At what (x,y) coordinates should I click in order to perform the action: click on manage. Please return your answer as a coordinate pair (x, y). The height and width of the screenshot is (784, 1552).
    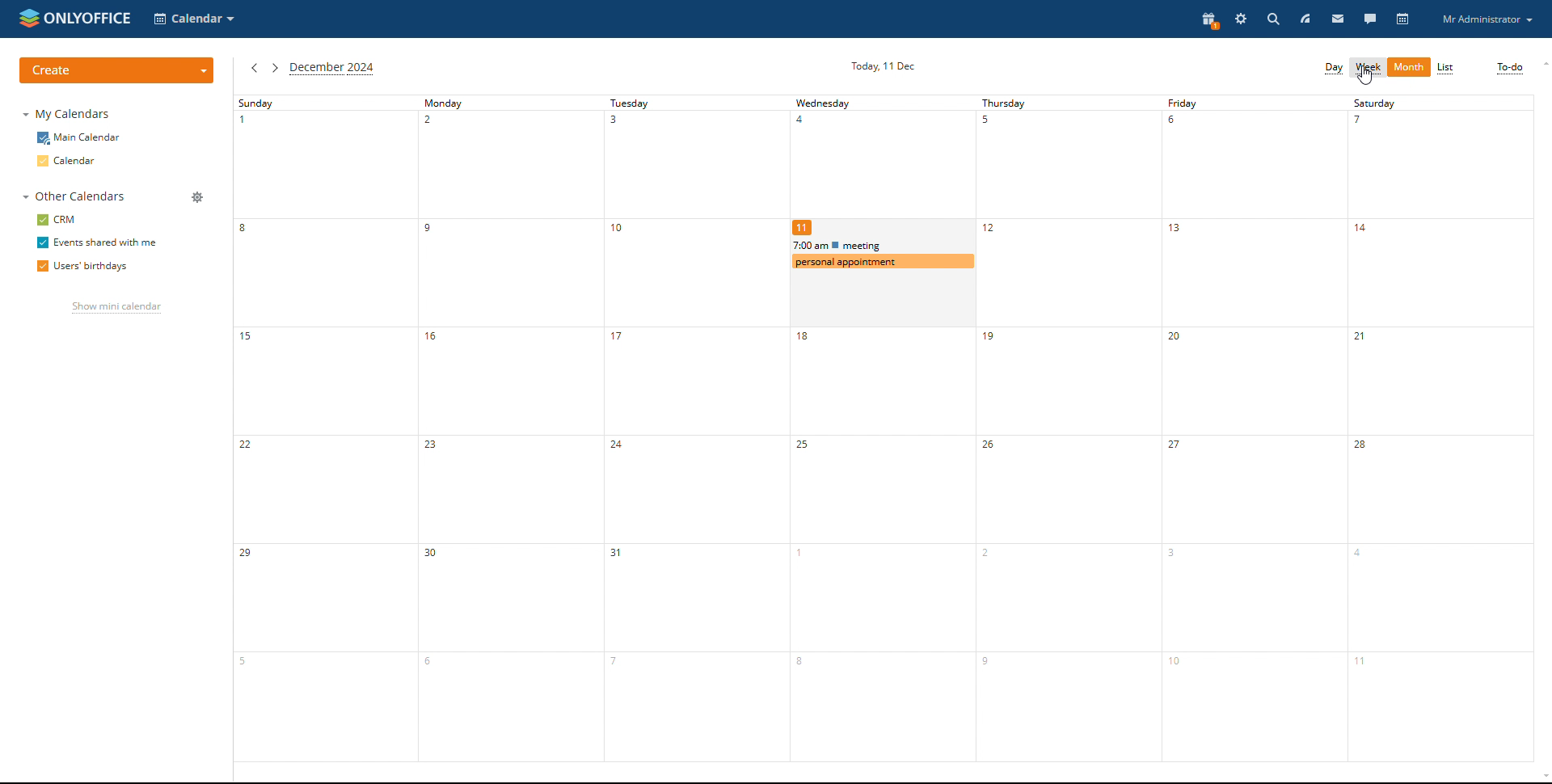
    Looking at the image, I should click on (198, 197).